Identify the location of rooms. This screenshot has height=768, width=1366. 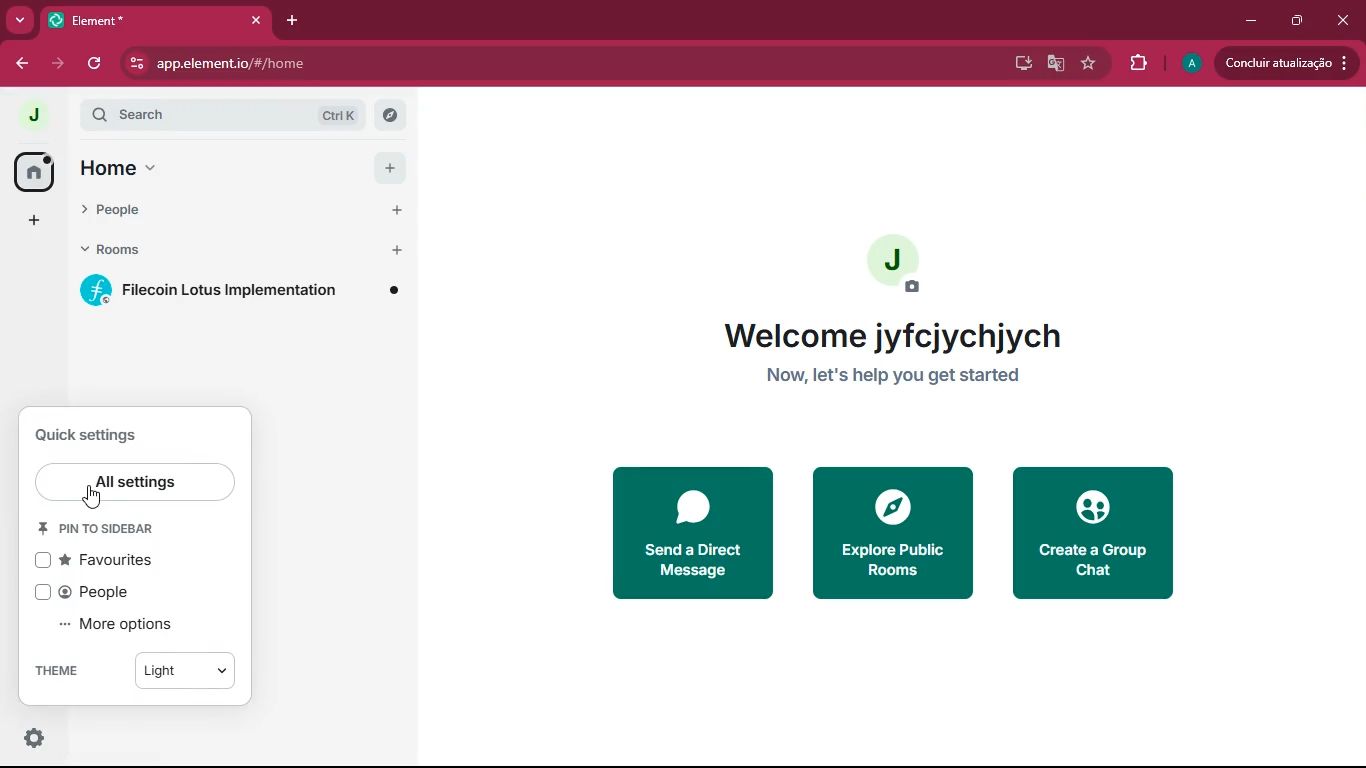
(143, 250).